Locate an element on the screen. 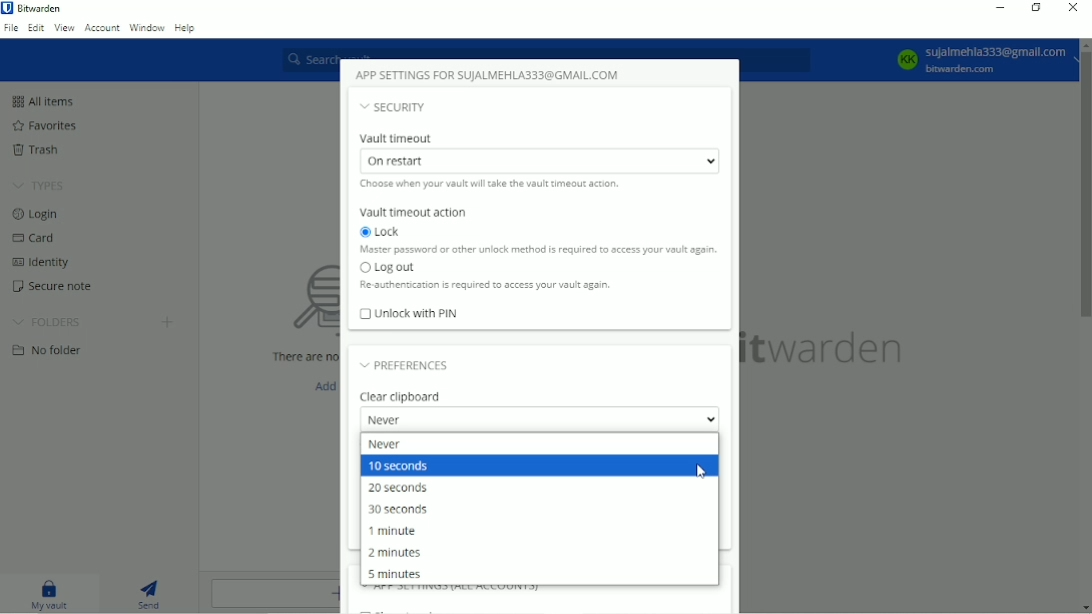  Secure note is located at coordinates (53, 286).